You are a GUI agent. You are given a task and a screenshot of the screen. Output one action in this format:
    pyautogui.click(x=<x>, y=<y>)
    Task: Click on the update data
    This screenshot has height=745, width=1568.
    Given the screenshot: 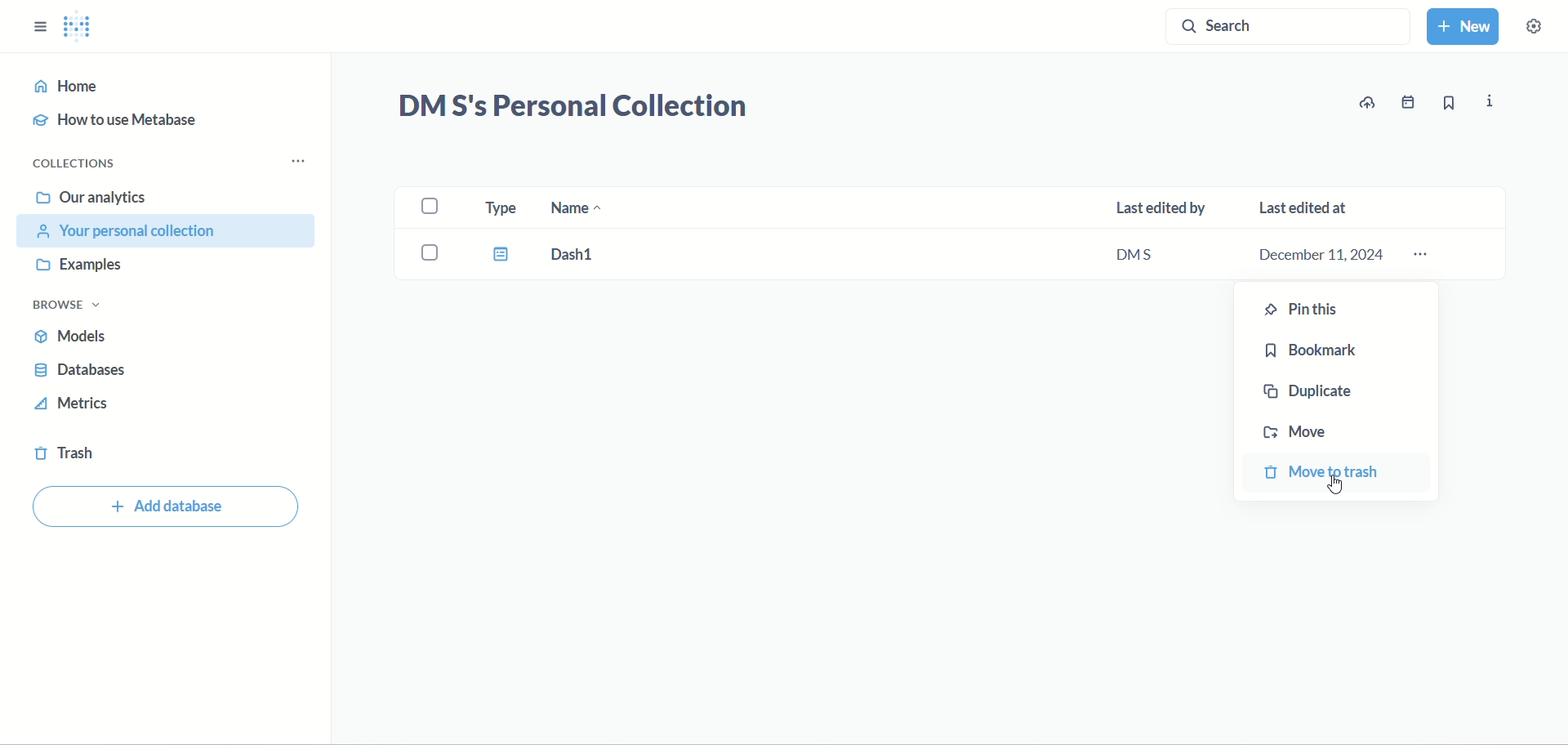 What is the action you would take?
    pyautogui.click(x=1370, y=103)
    